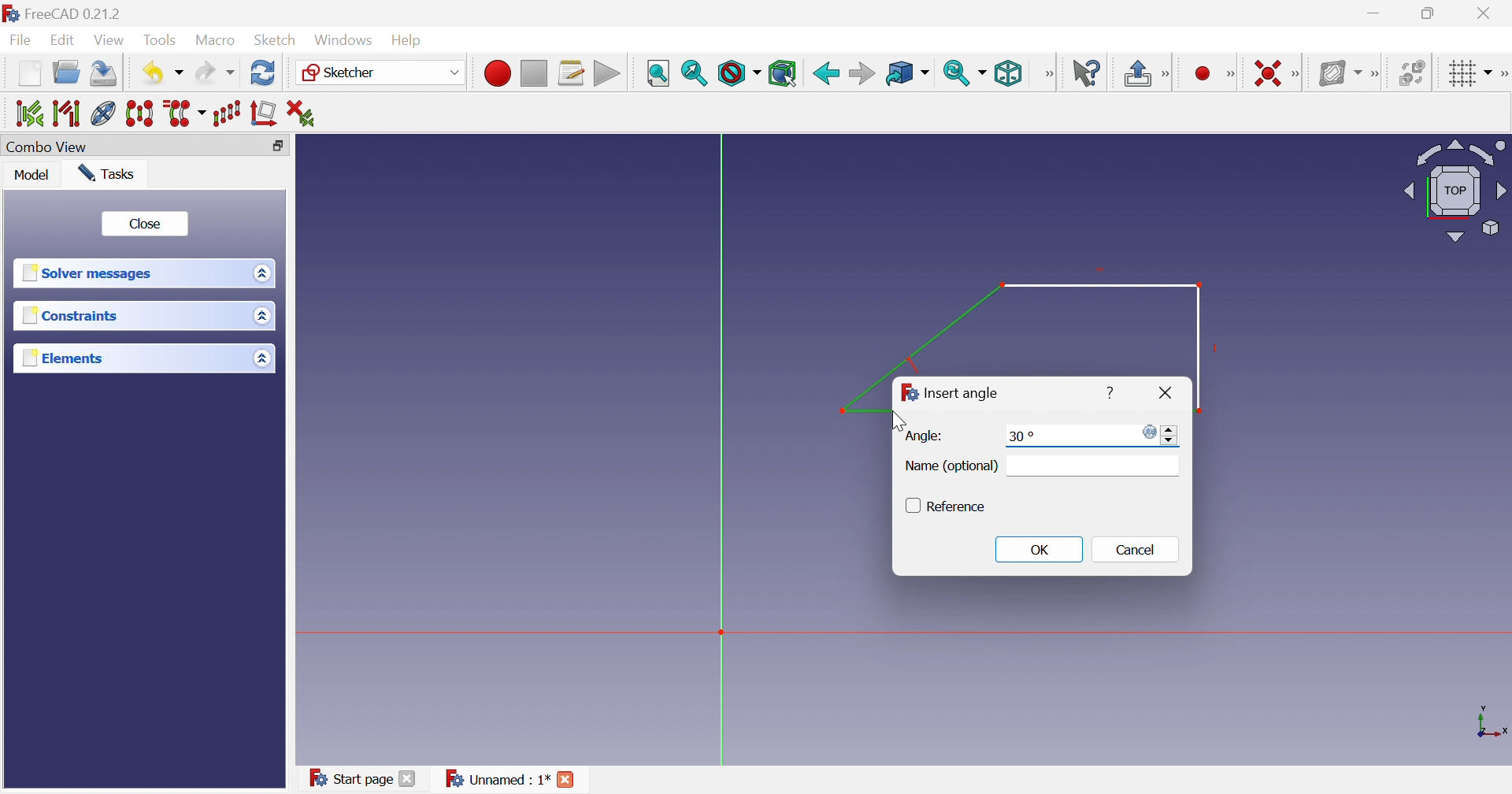 The height and width of the screenshot is (794, 1512). What do you see at coordinates (259, 273) in the screenshot?
I see `Drop Down` at bounding box center [259, 273].